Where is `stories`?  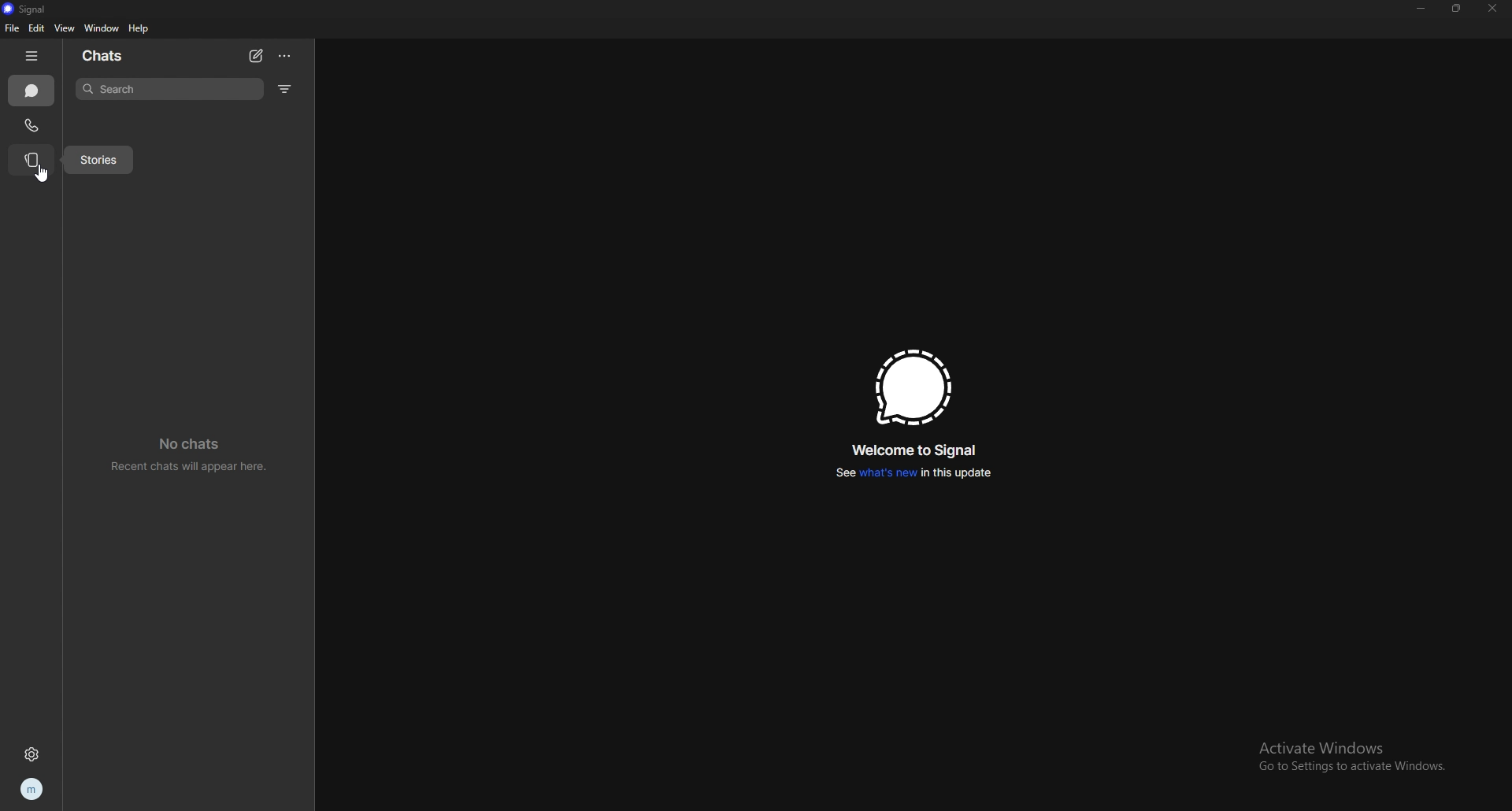
stories is located at coordinates (101, 161).